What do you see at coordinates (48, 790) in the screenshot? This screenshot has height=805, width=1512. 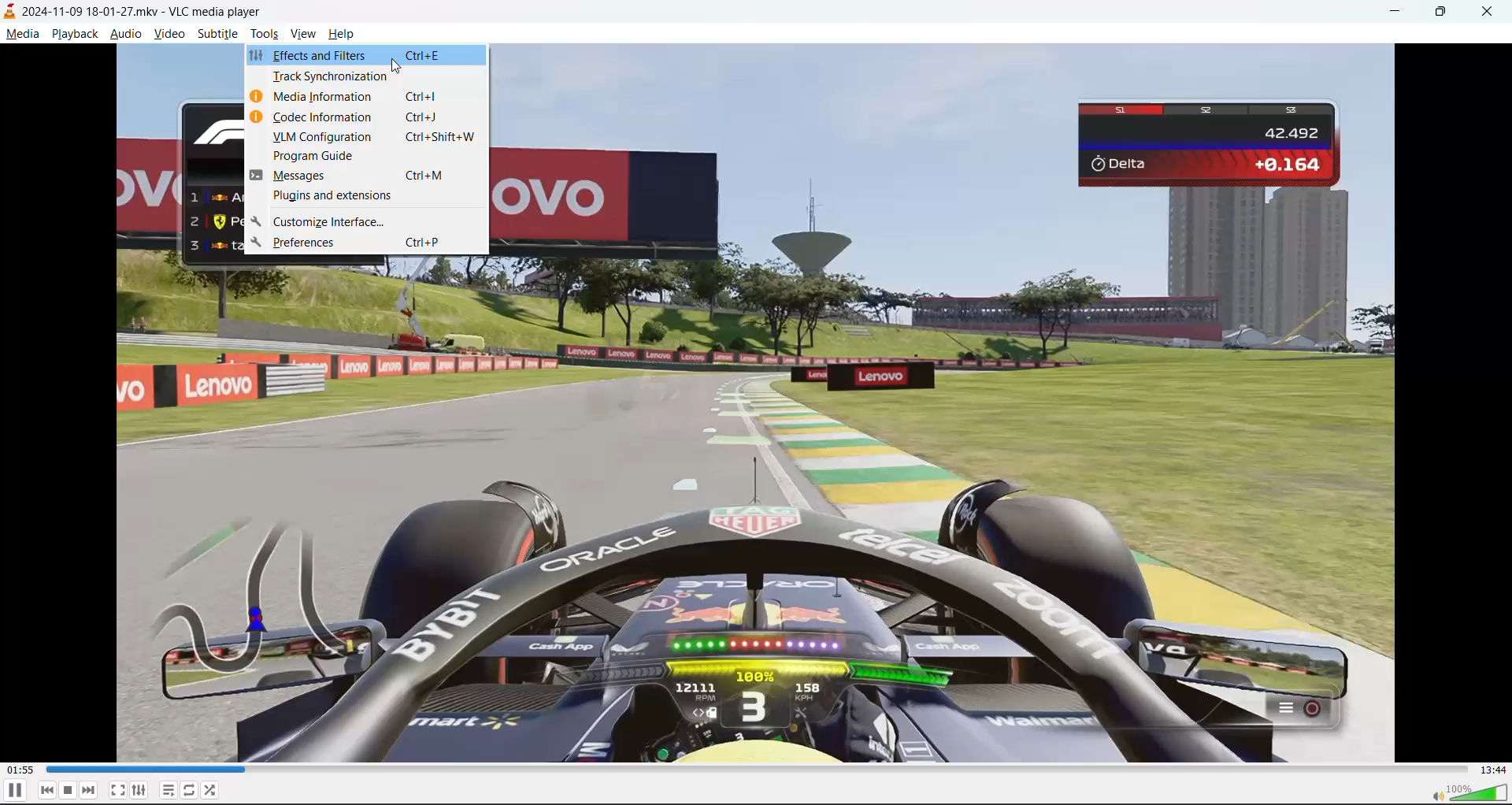 I see `previous` at bounding box center [48, 790].